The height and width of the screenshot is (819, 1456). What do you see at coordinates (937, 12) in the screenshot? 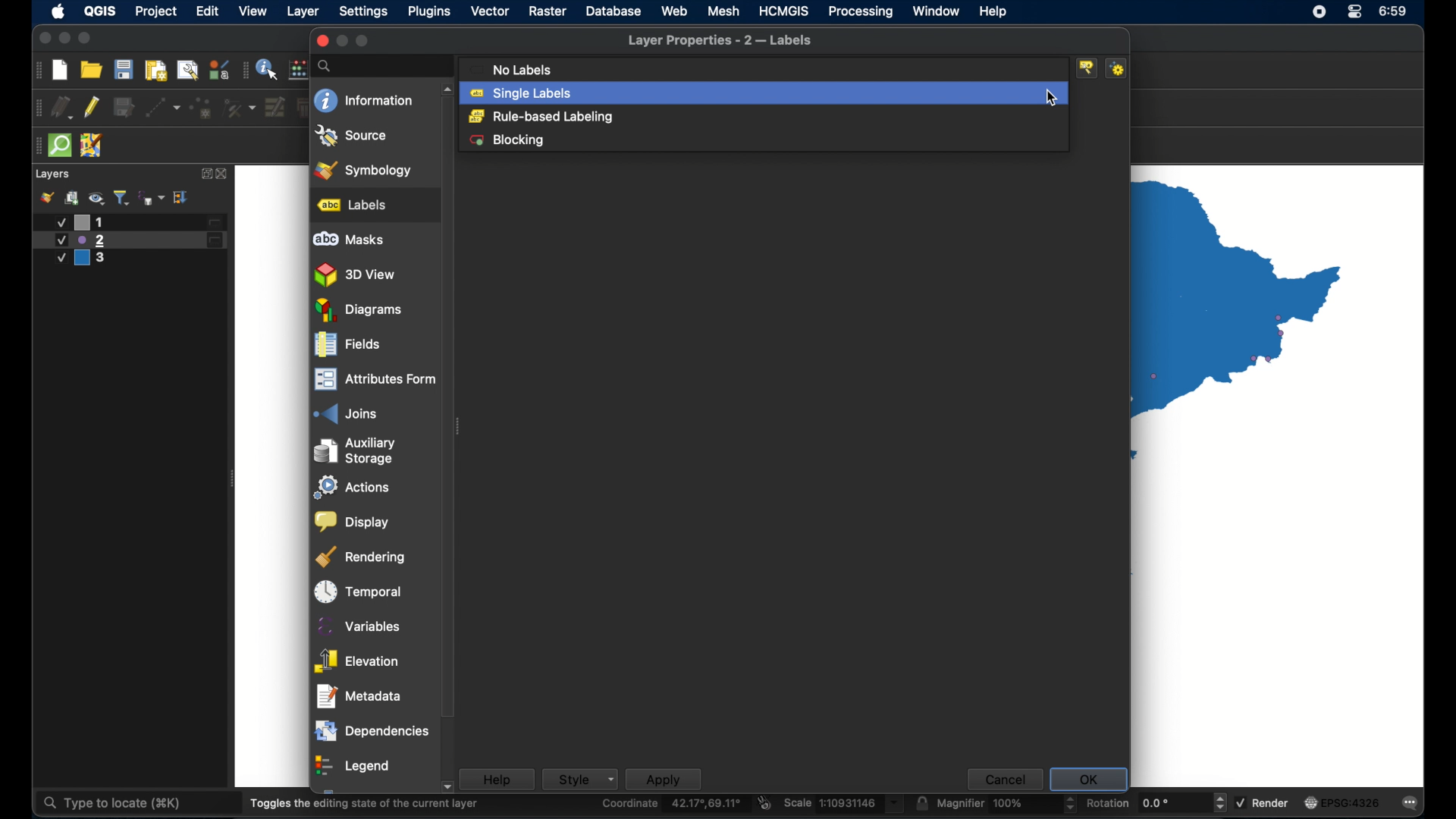
I see `window` at bounding box center [937, 12].